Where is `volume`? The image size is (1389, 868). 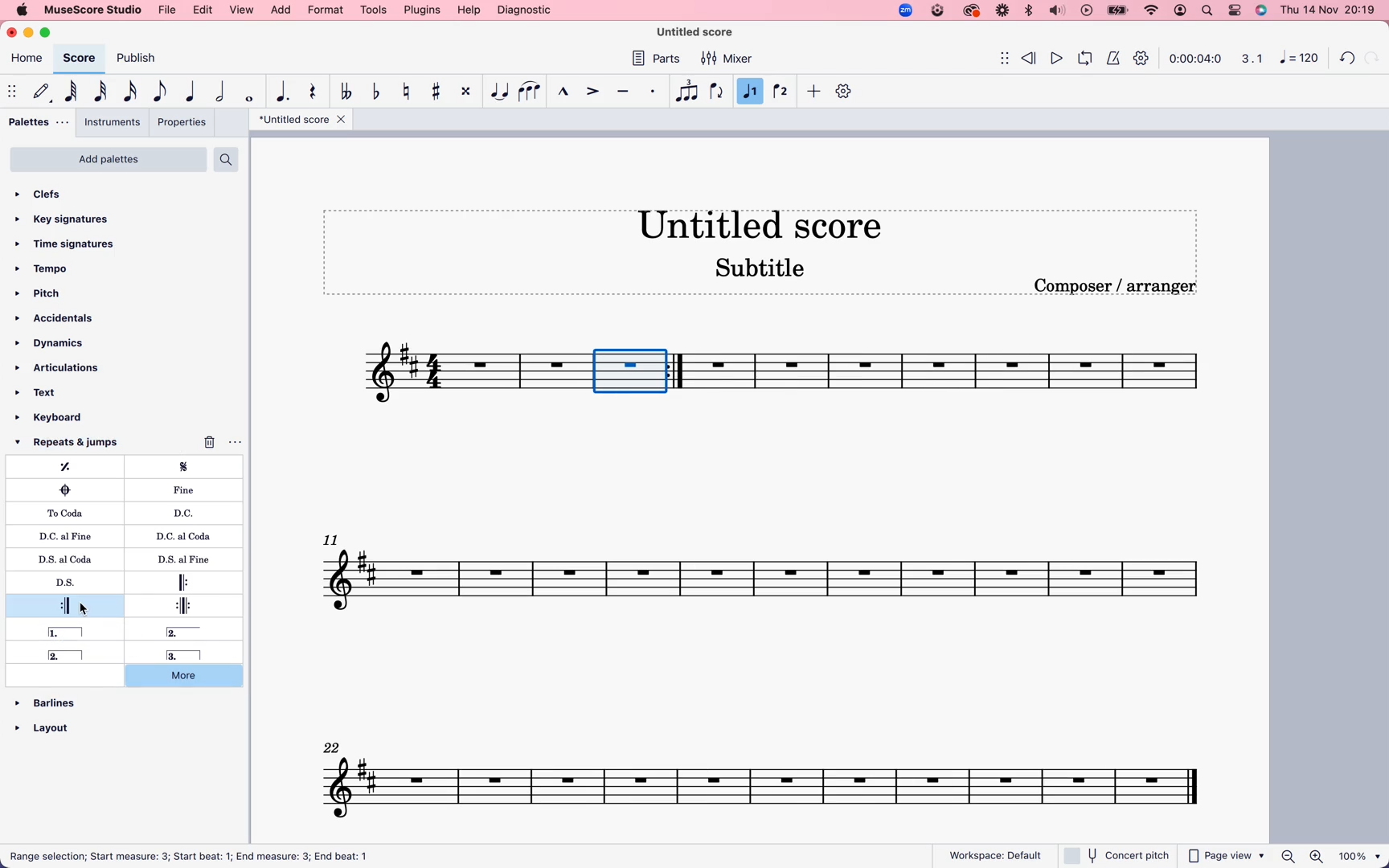 volume is located at coordinates (1057, 11).